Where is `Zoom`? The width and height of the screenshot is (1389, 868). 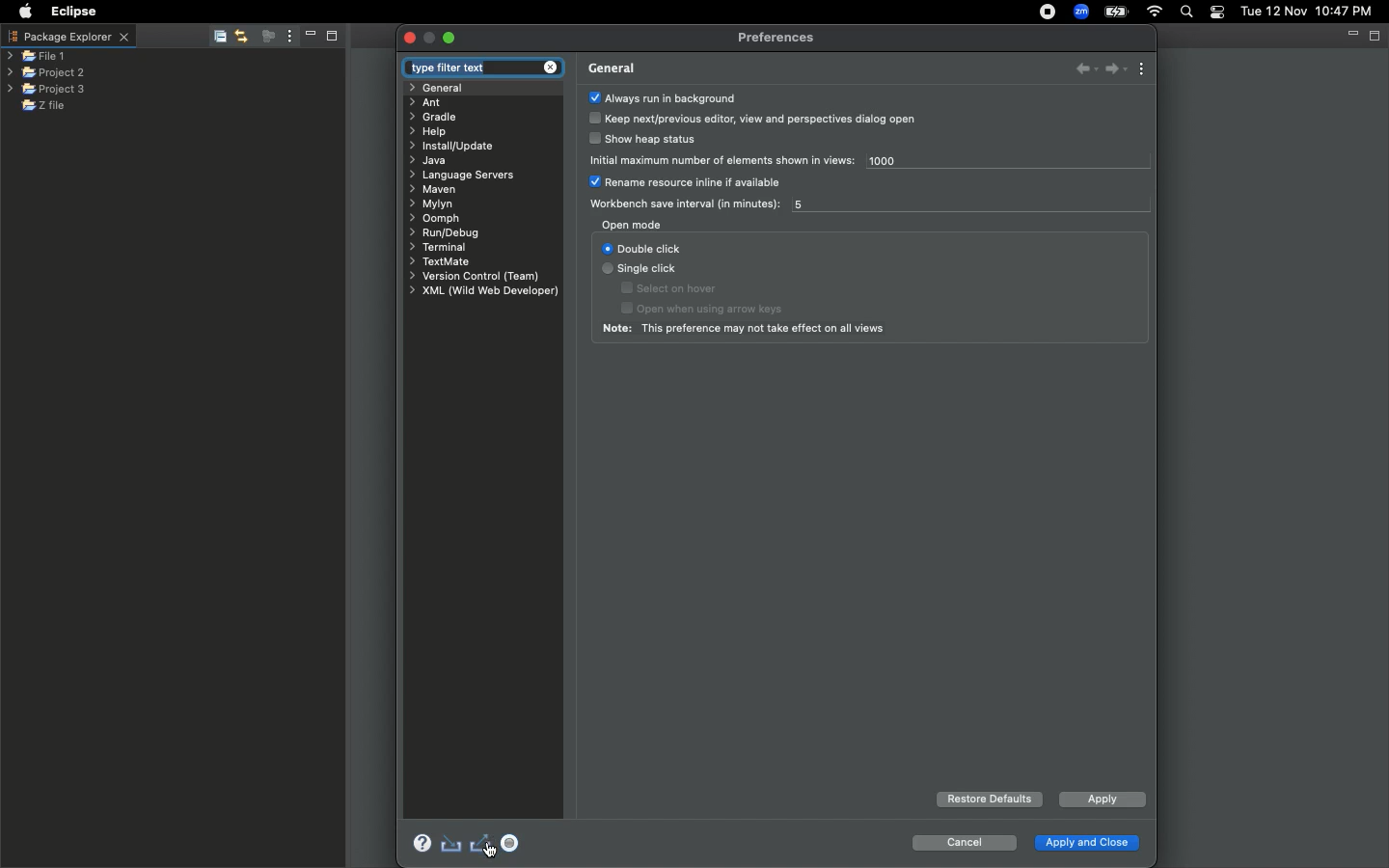
Zoom is located at coordinates (1080, 12).